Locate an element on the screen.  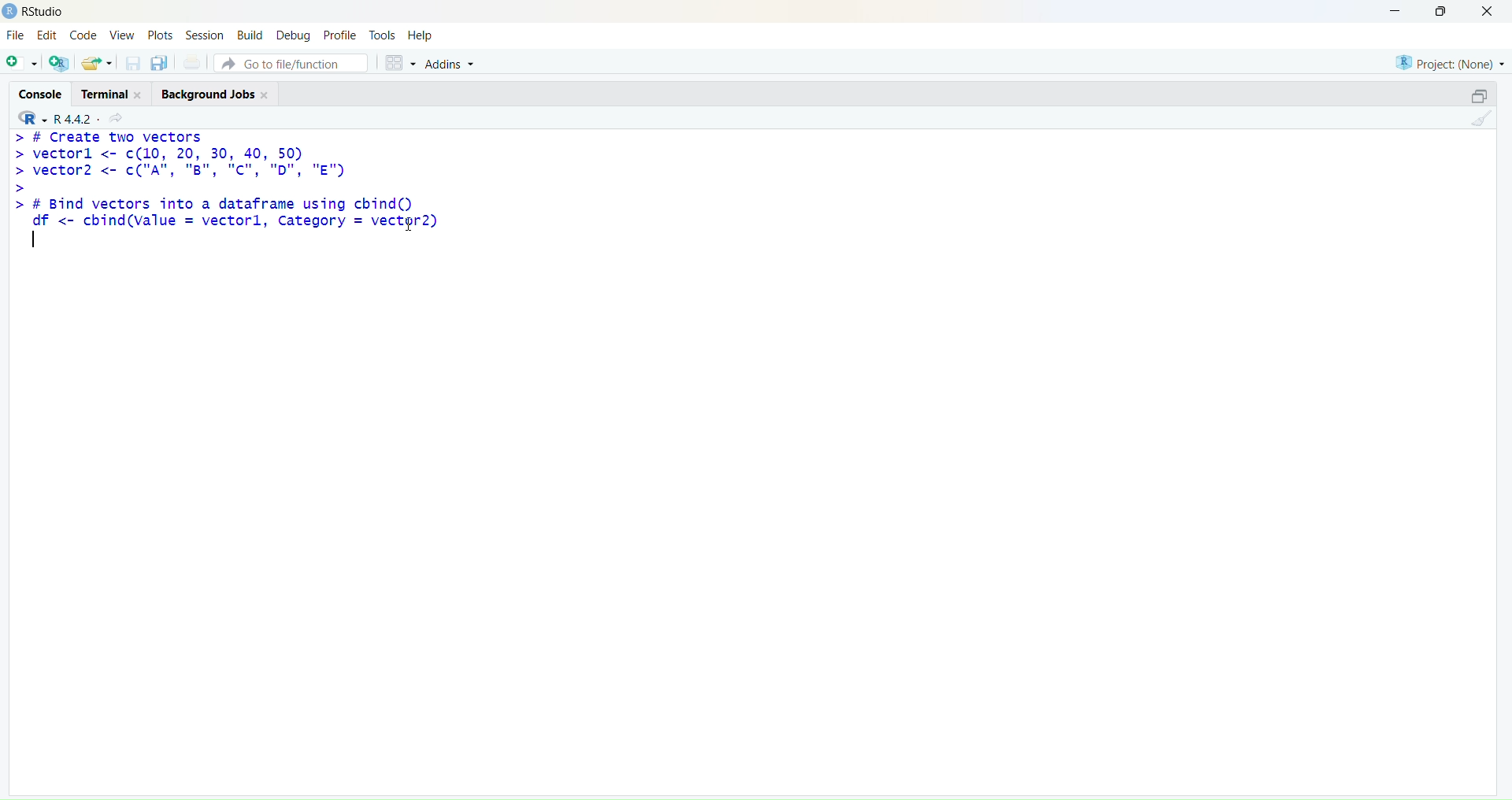
View is located at coordinates (121, 35).